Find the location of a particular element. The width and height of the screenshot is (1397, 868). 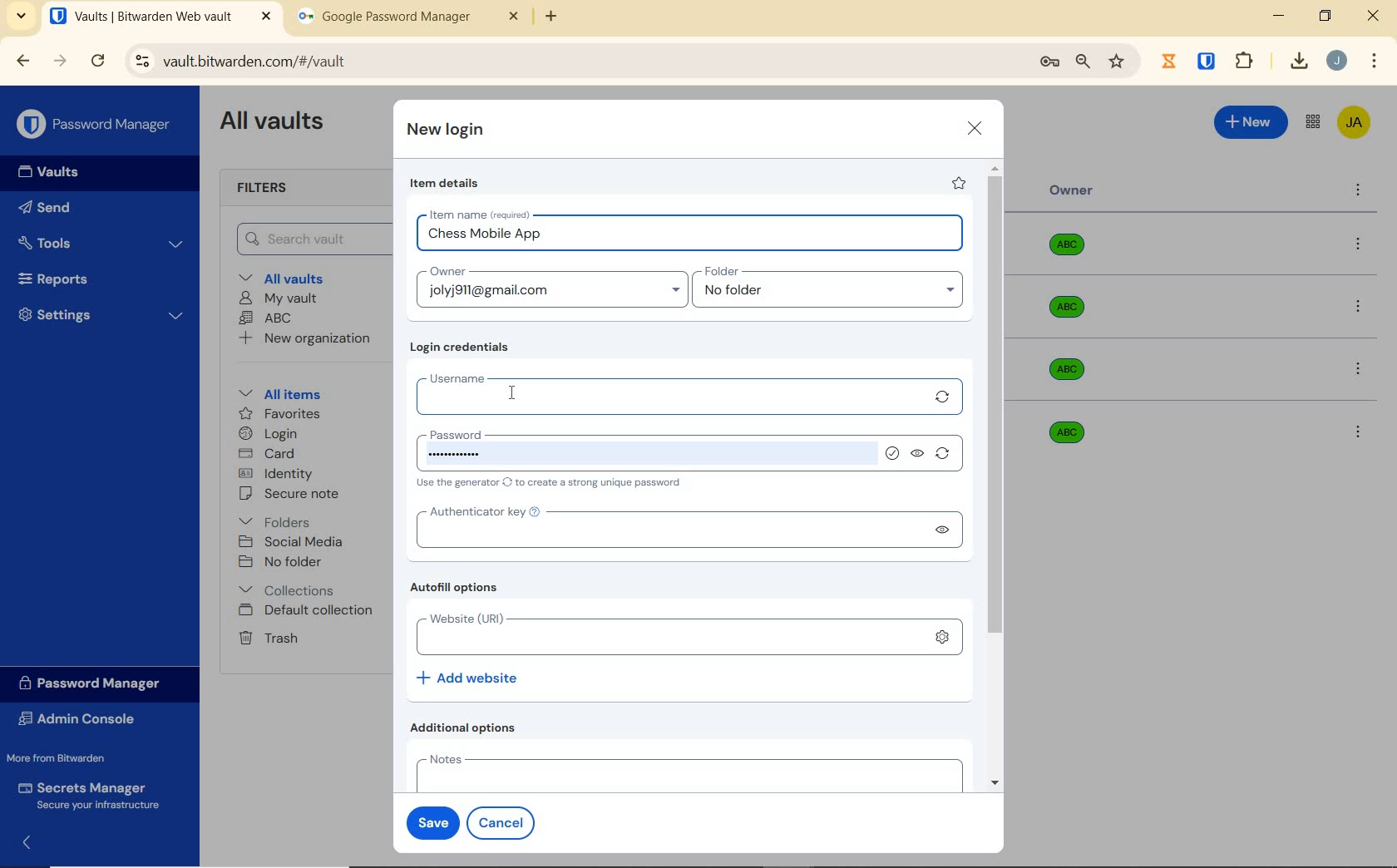

zoom is located at coordinates (1082, 62).